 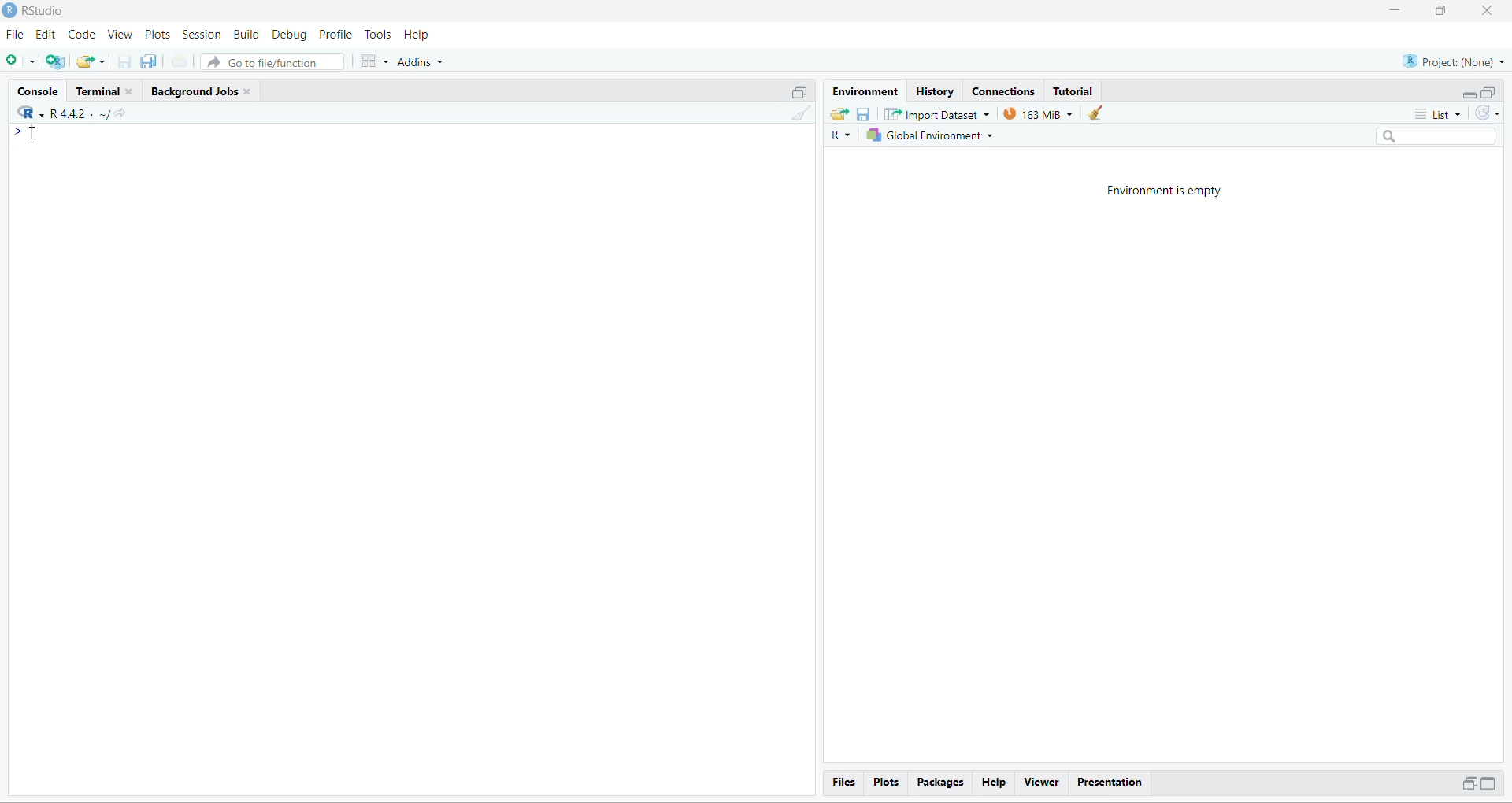 I want to click on refresh, so click(x=1488, y=113).